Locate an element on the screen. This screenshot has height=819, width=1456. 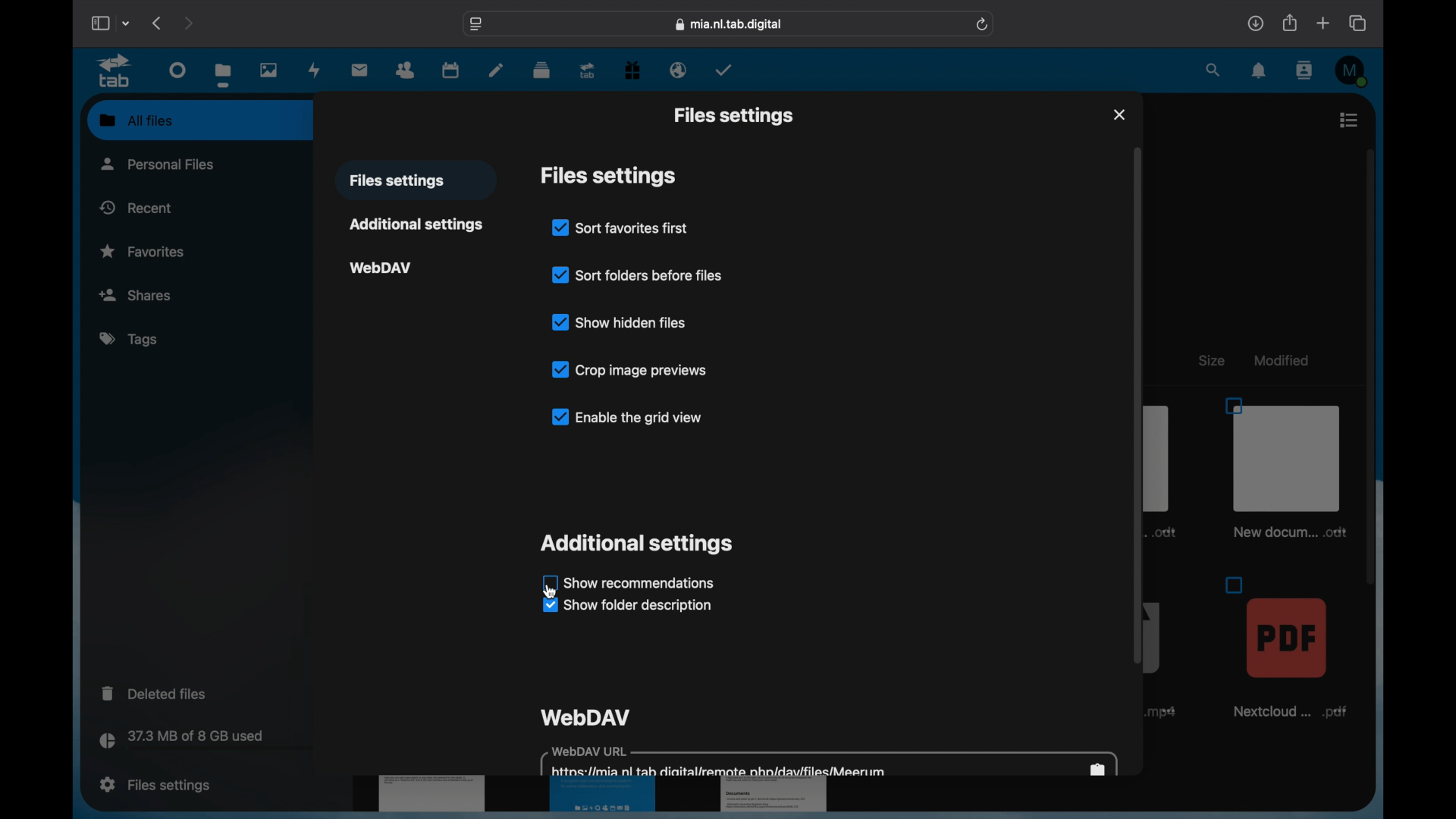
file is located at coordinates (1283, 645).